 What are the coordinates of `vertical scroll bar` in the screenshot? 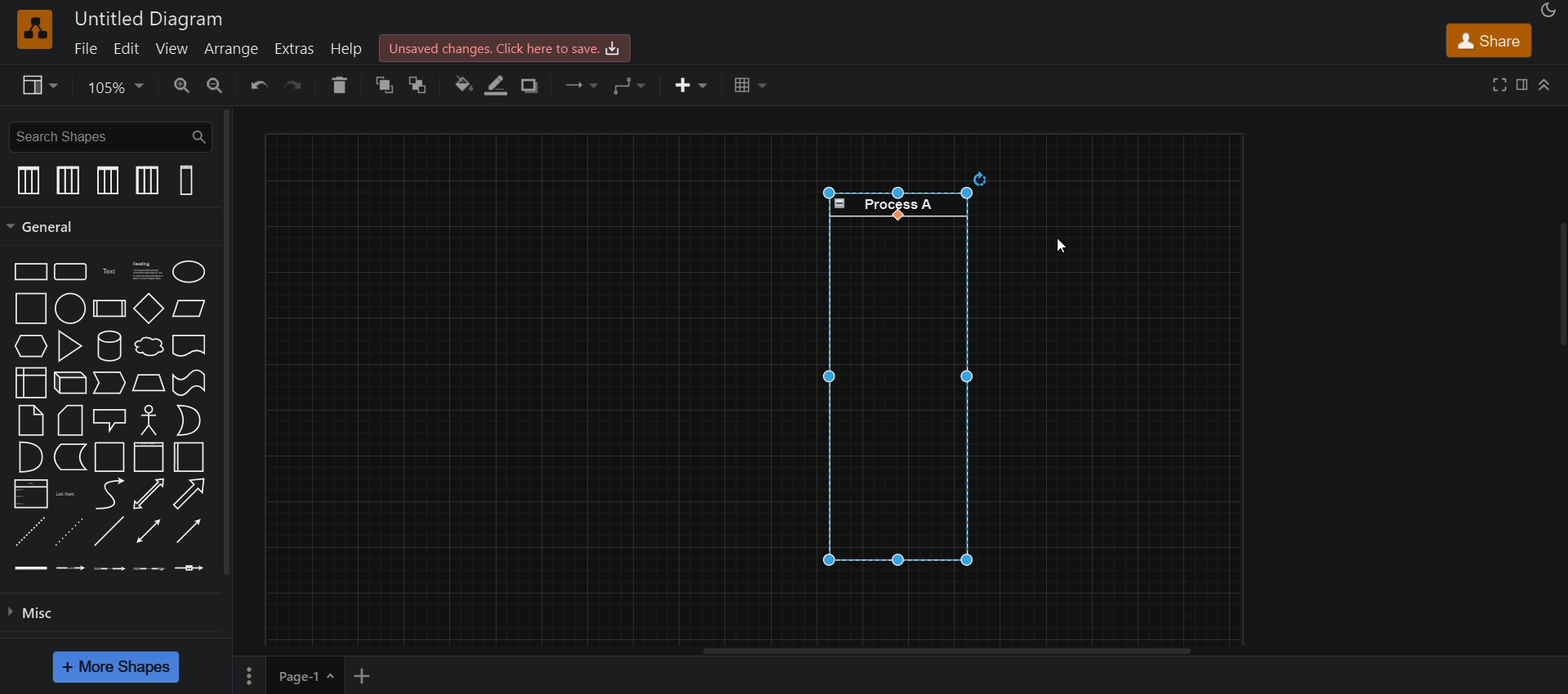 It's located at (233, 342).